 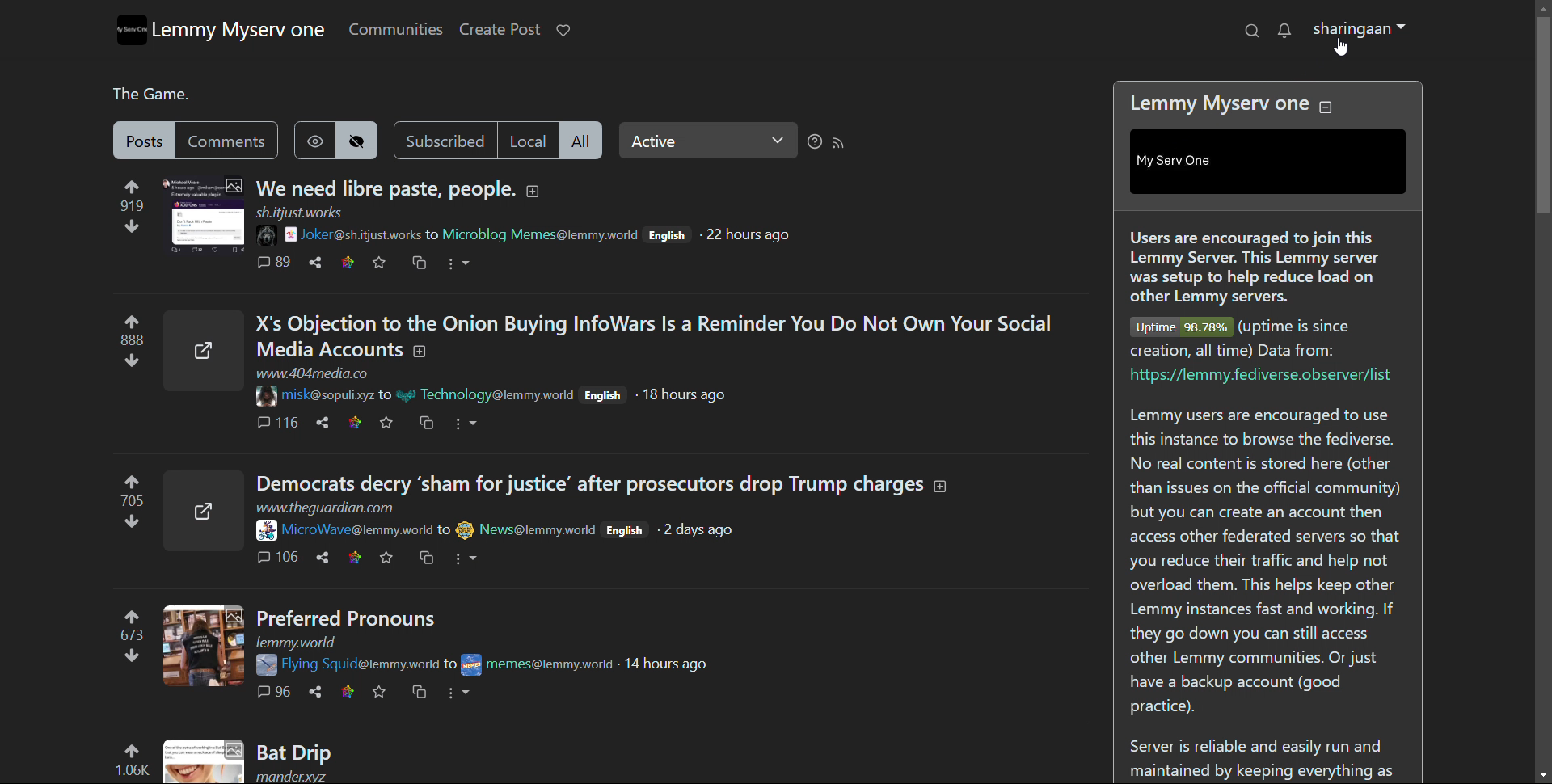 What do you see at coordinates (1326, 108) in the screenshot?
I see `collapse` at bounding box center [1326, 108].